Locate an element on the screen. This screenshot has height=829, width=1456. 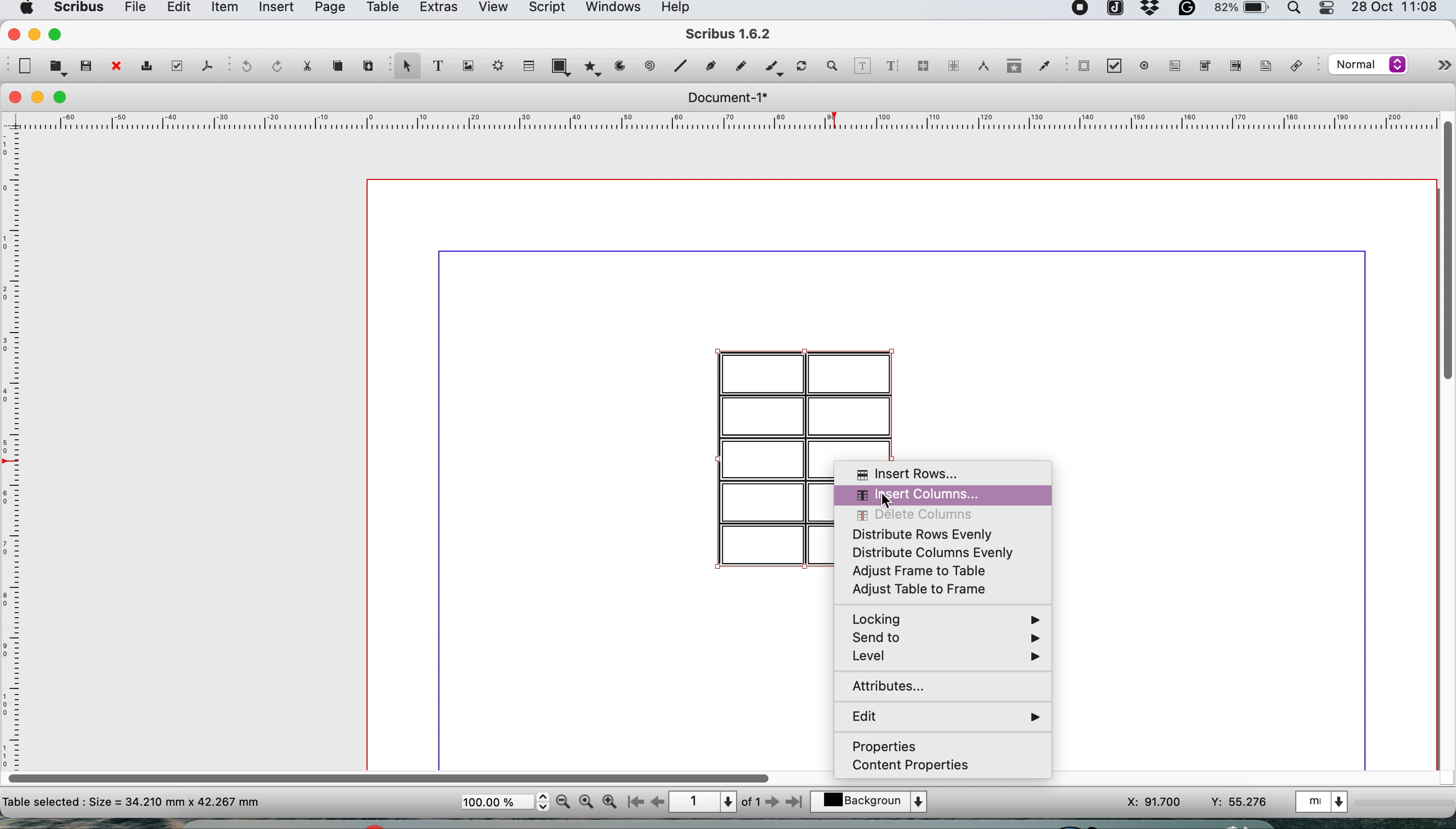
edit is located at coordinates (177, 9).